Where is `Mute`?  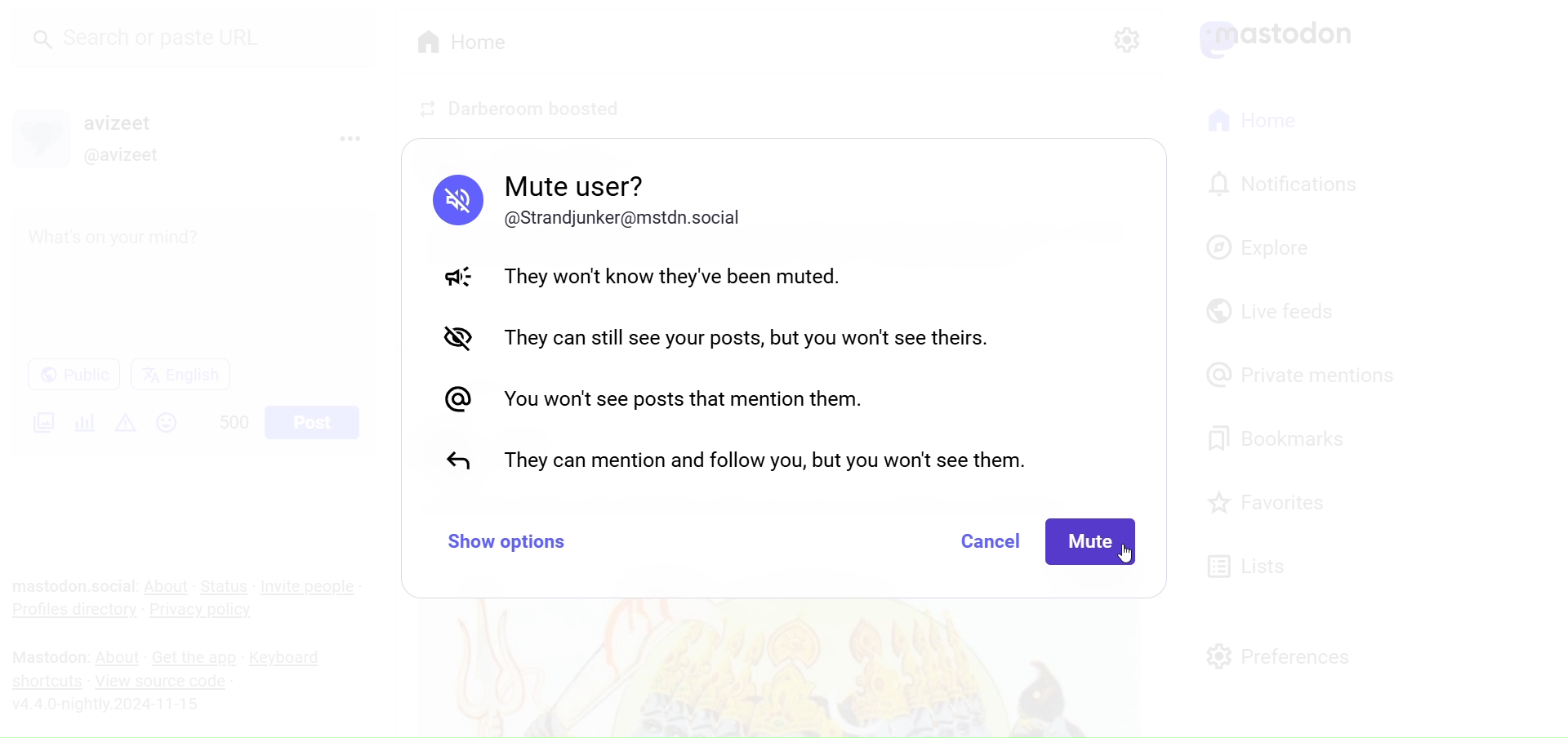 Mute is located at coordinates (1097, 540).